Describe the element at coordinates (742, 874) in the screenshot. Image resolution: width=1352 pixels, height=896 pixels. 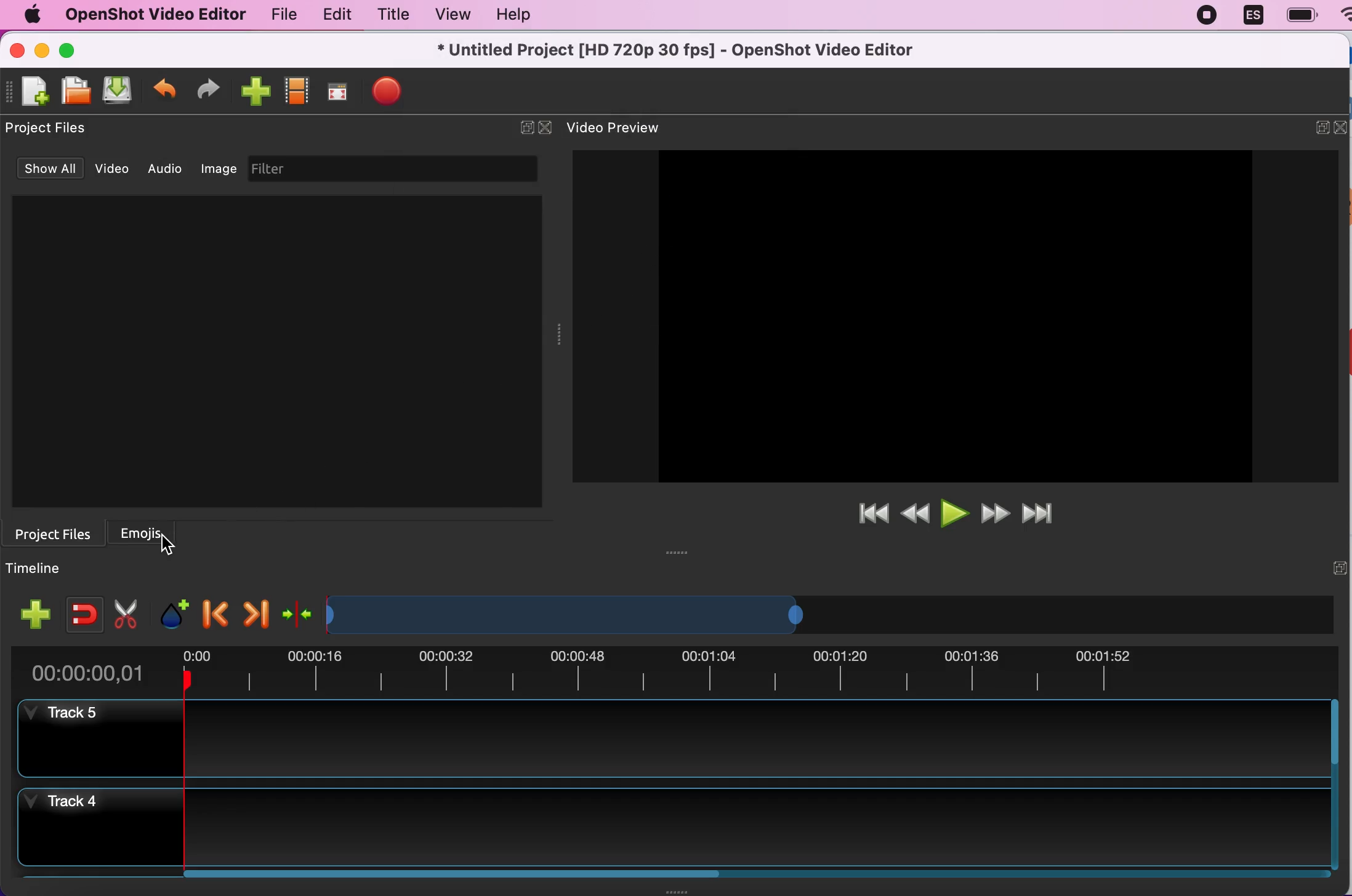
I see `Horizontal slide bar` at that location.